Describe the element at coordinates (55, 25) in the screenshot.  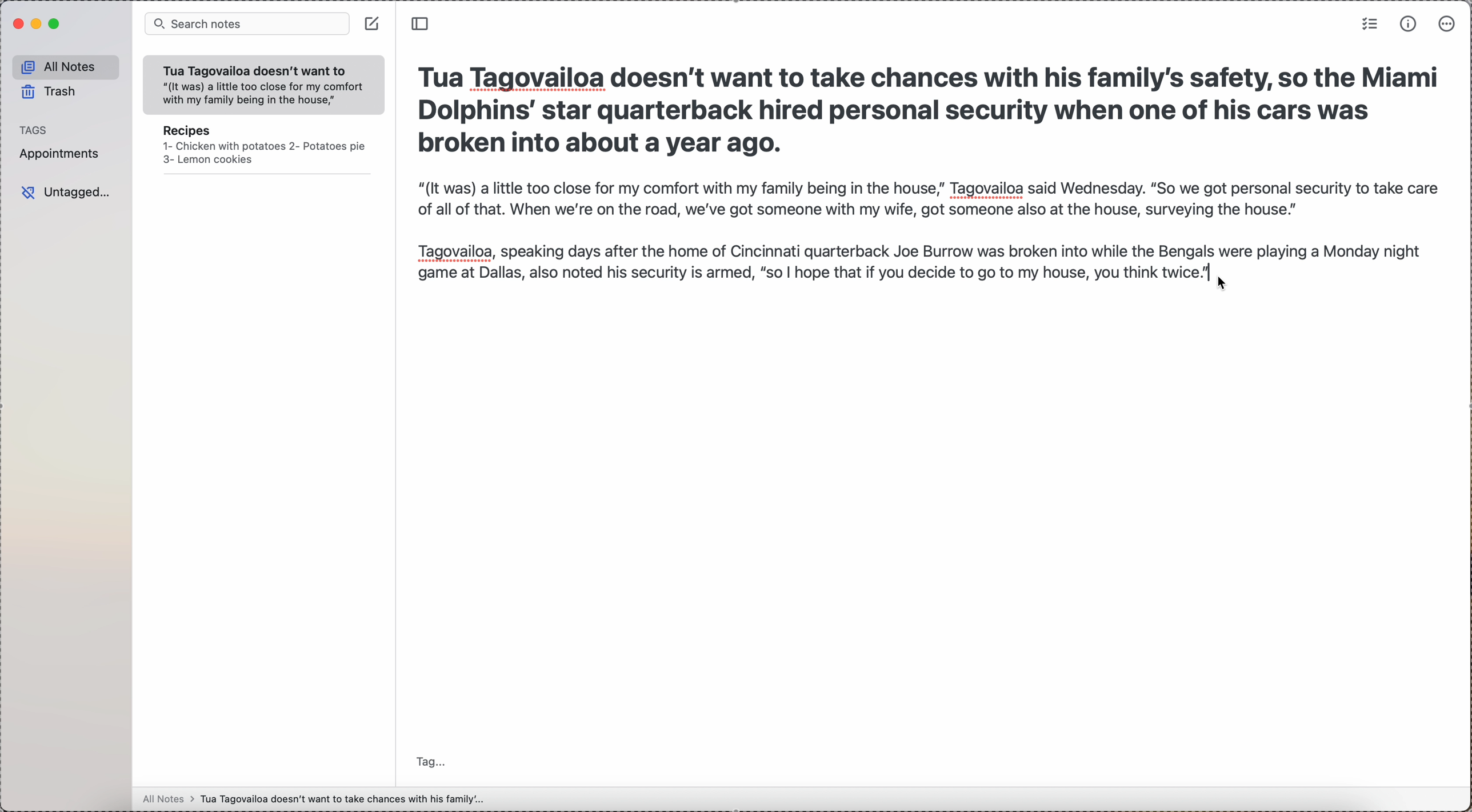
I see `maximize` at that location.